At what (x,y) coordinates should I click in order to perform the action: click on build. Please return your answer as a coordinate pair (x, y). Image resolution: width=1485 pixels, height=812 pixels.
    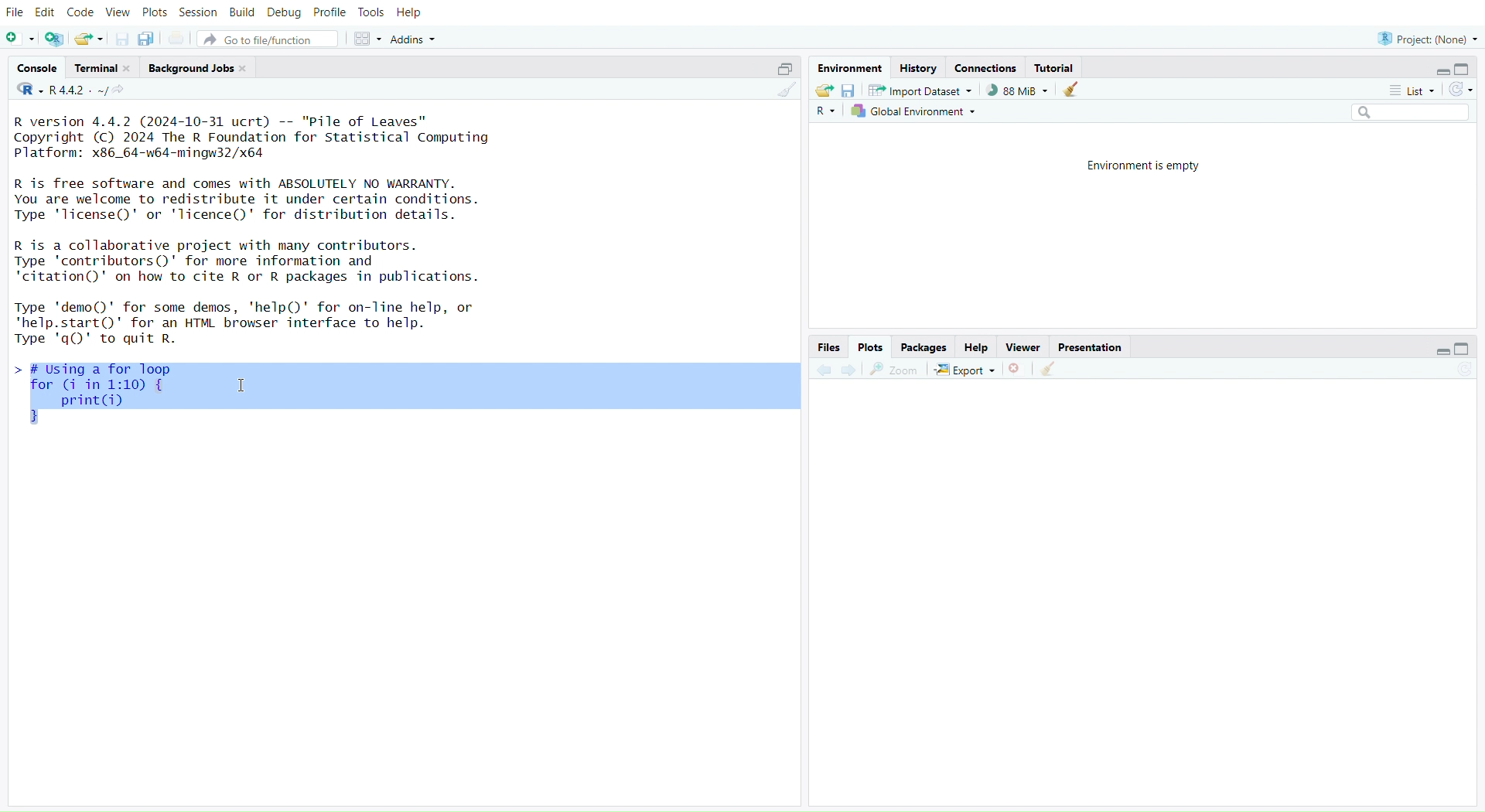
    Looking at the image, I should click on (241, 13).